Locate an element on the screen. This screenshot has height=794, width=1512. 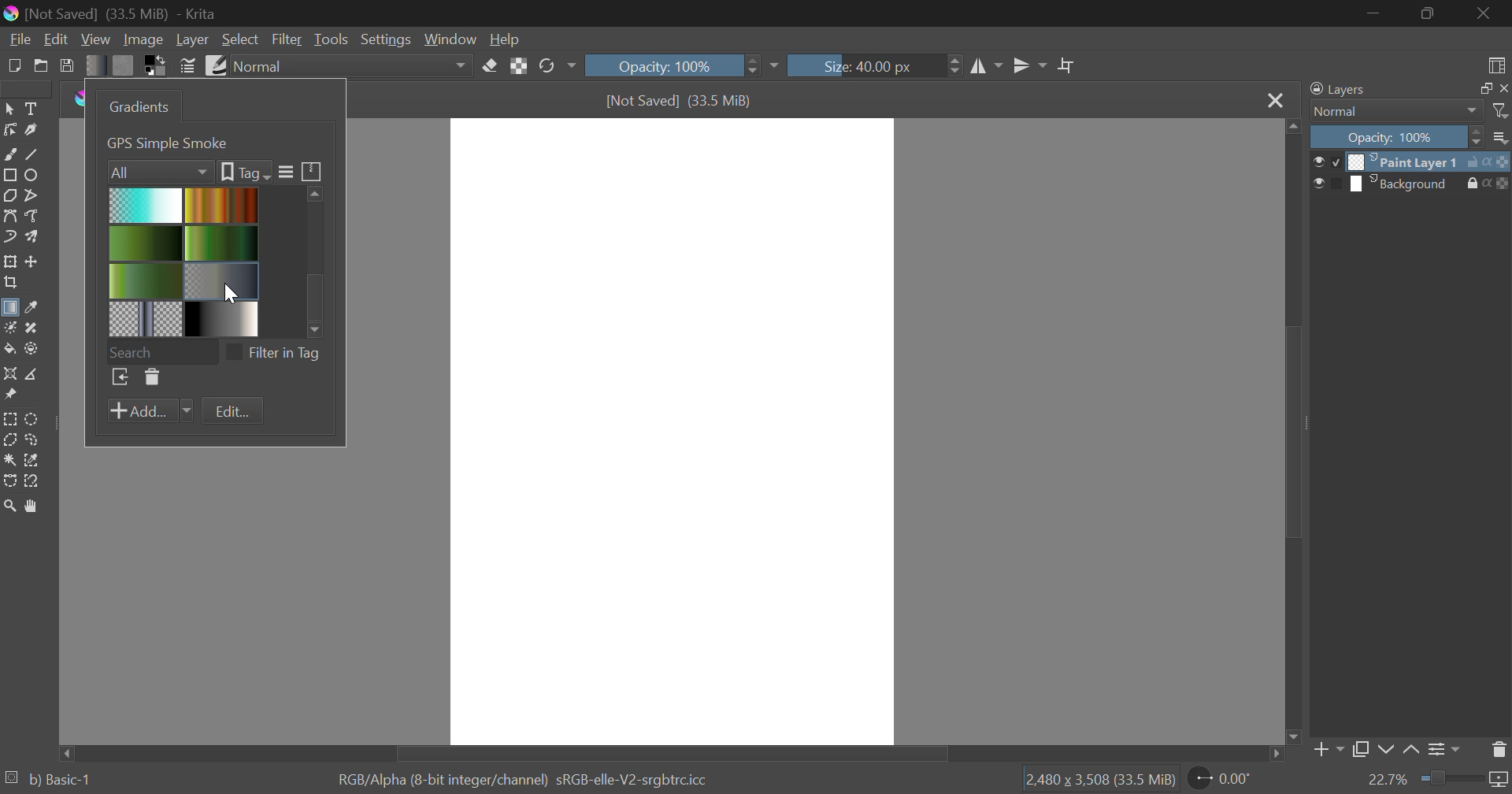
icon is located at coordinates (1499, 161).